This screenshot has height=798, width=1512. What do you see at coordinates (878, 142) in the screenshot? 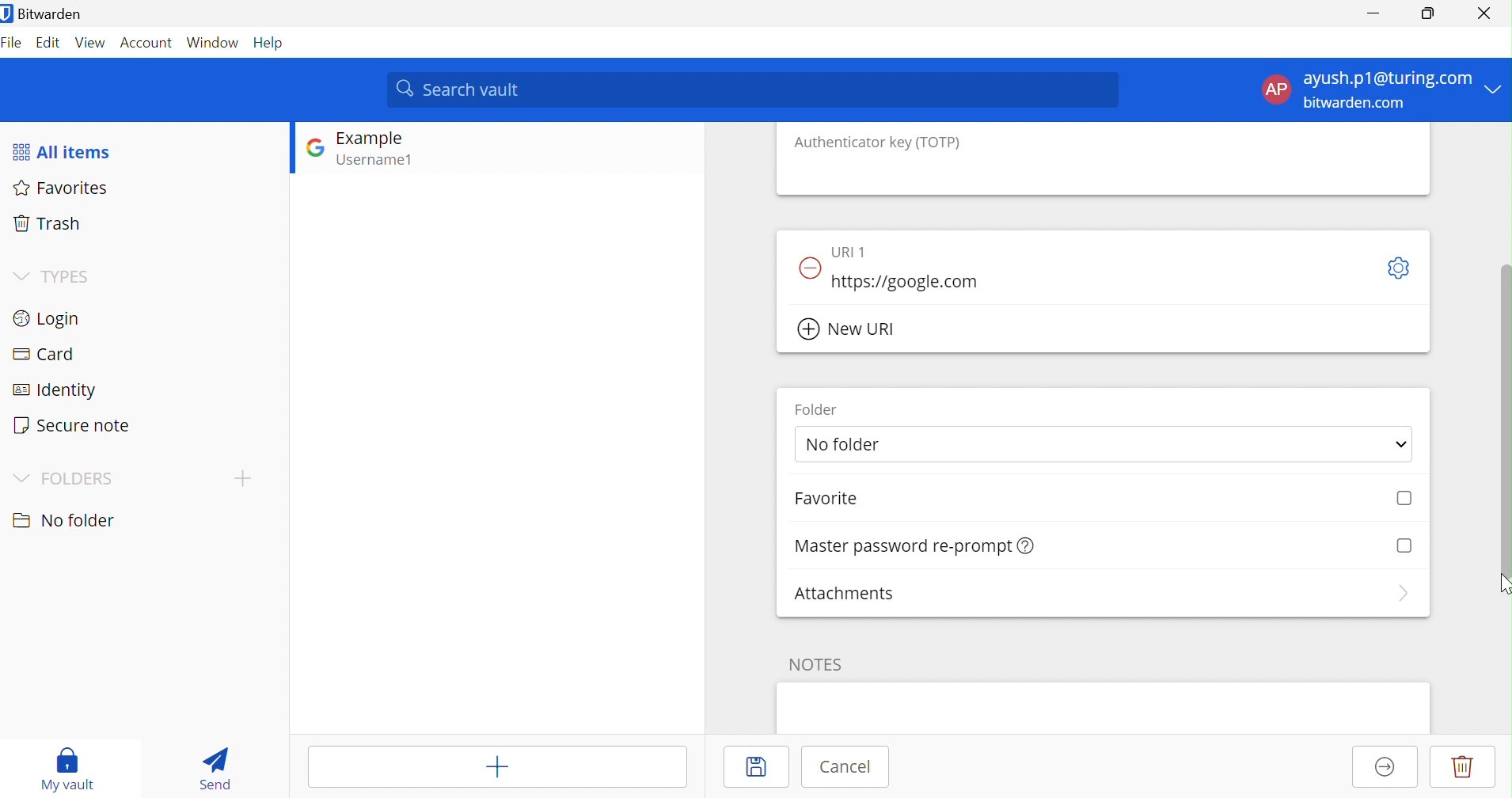
I see `Authenticator key (TOTP)` at bounding box center [878, 142].